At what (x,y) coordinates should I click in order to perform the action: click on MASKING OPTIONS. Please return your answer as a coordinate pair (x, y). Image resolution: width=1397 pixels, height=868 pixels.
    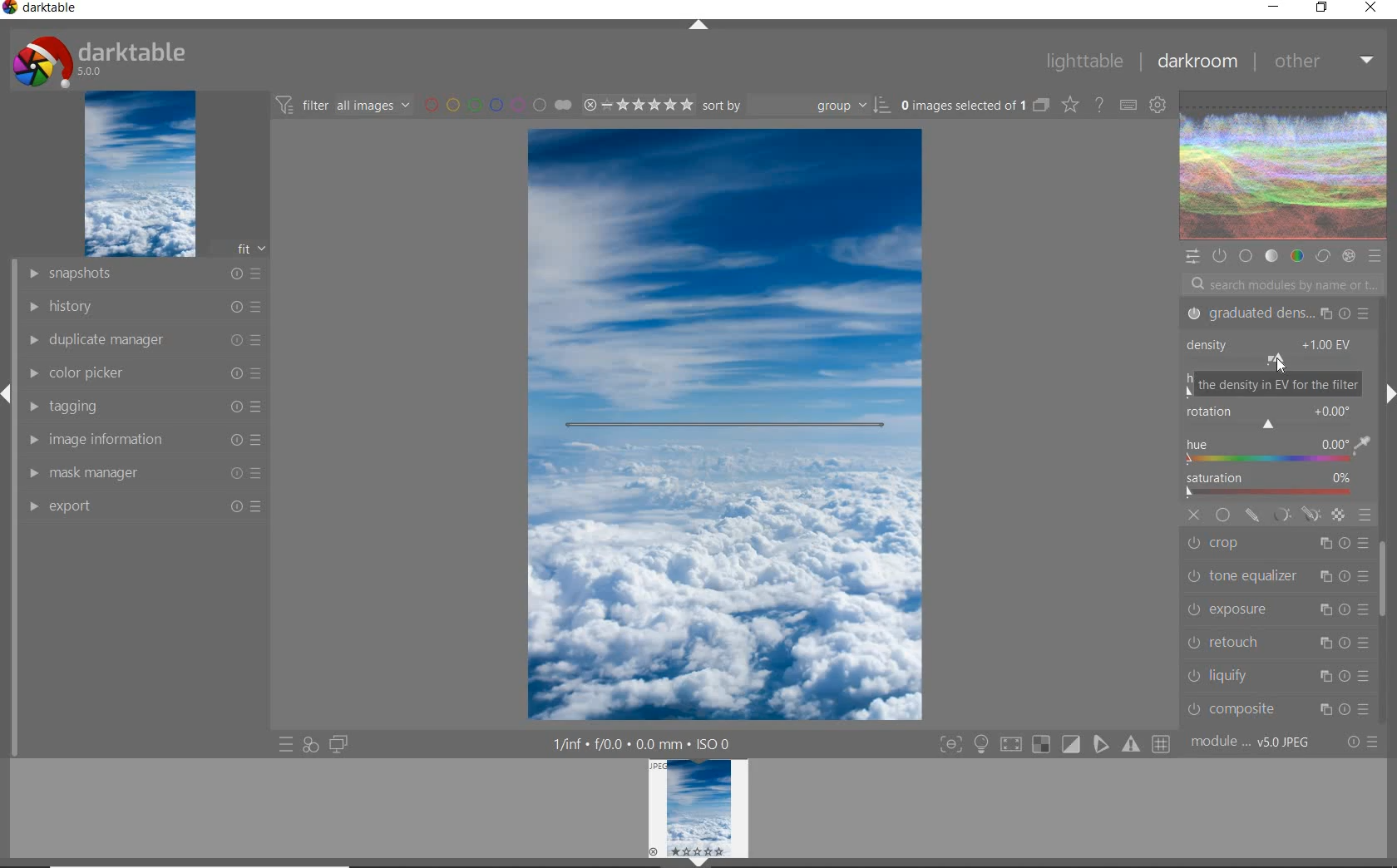
    Looking at the image, I should click on (1295, 515).